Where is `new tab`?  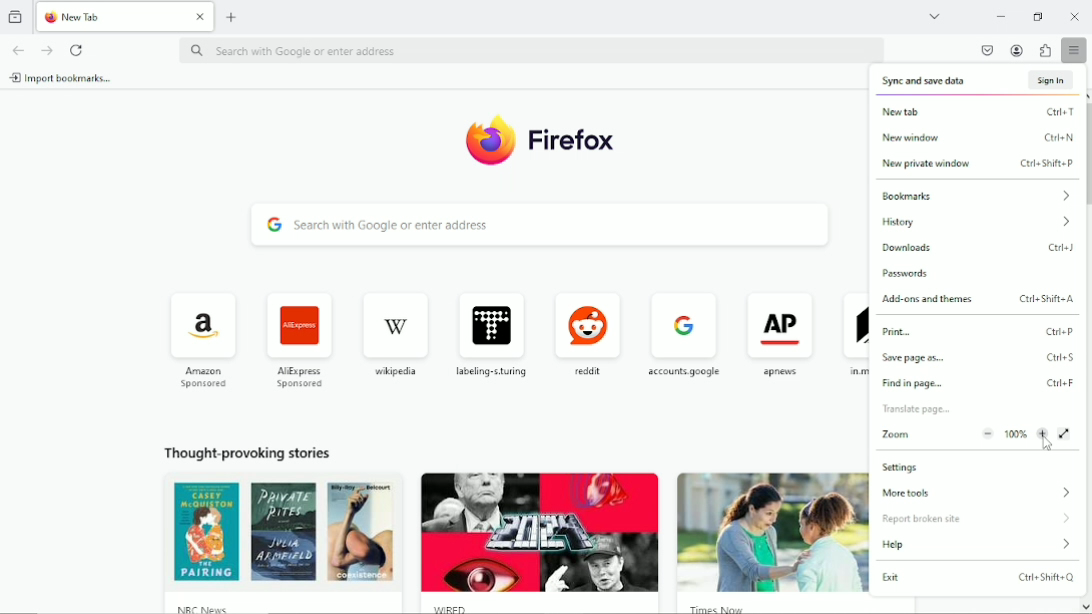 new tab is located at coordinates (972, 112).